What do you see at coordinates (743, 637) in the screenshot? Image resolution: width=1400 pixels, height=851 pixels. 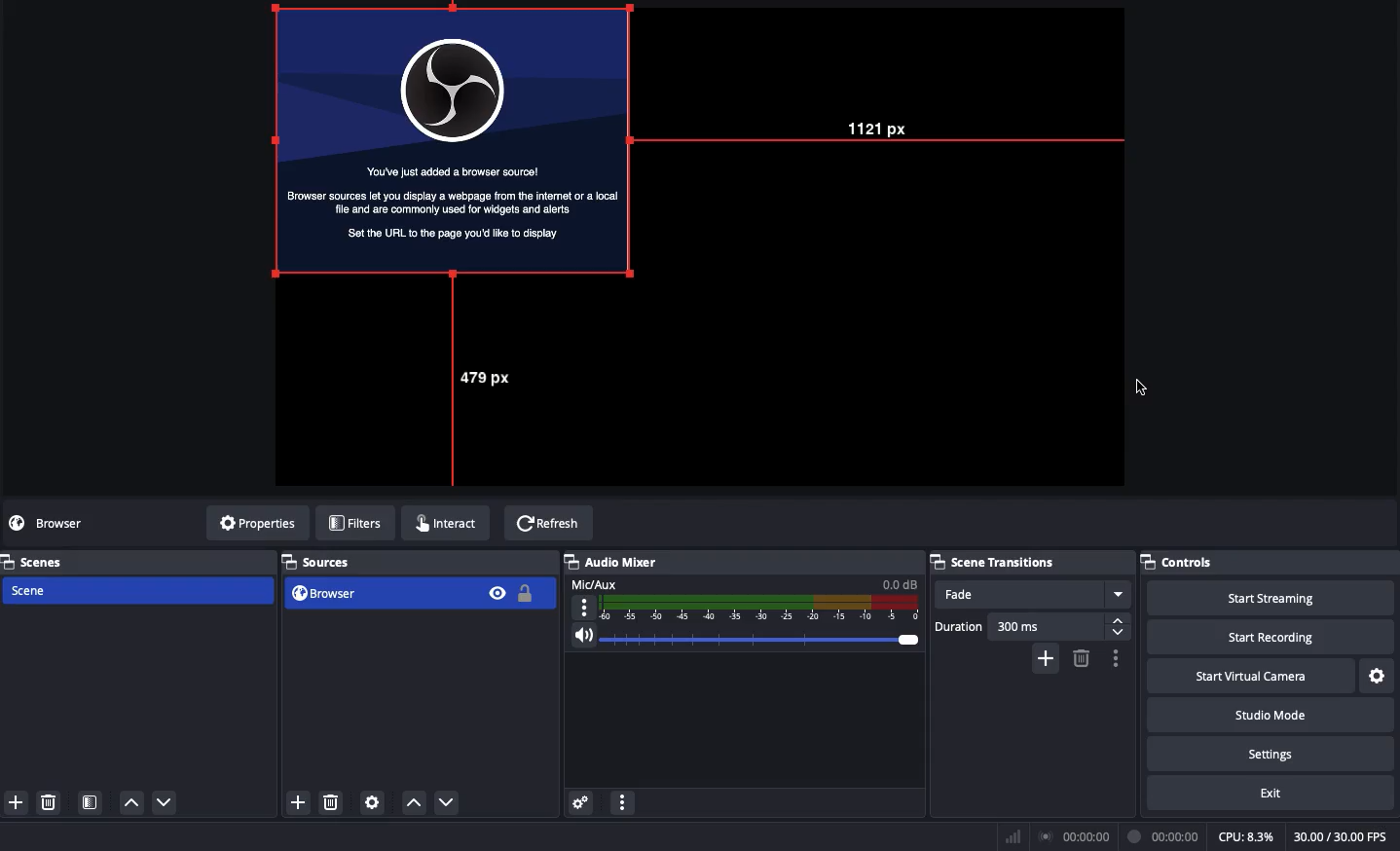 I see `Volume` at bounding box center [743, 637].